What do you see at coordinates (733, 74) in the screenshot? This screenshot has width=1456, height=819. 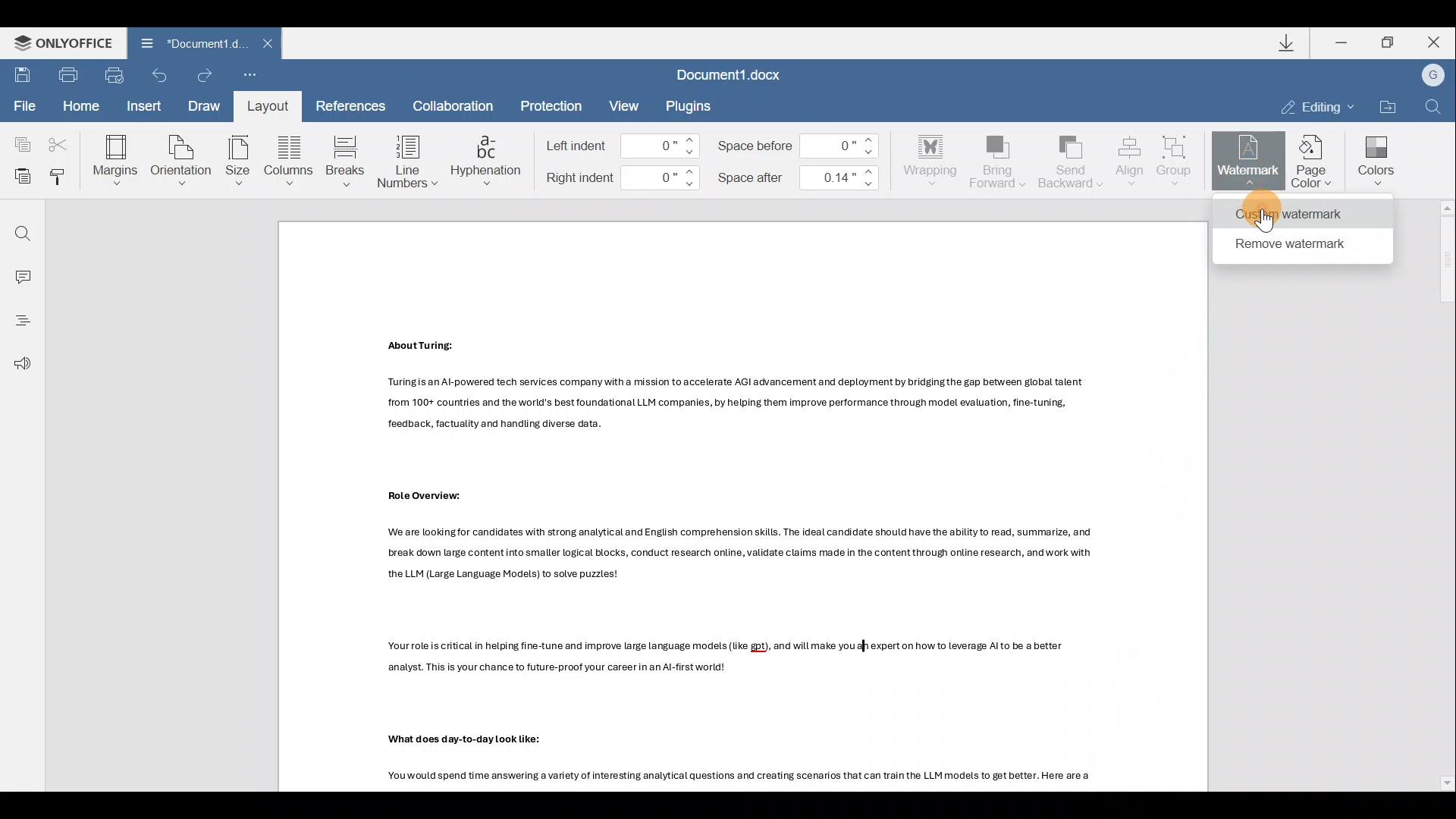 I see `Document1.docx` at bounding box center [733, 74].